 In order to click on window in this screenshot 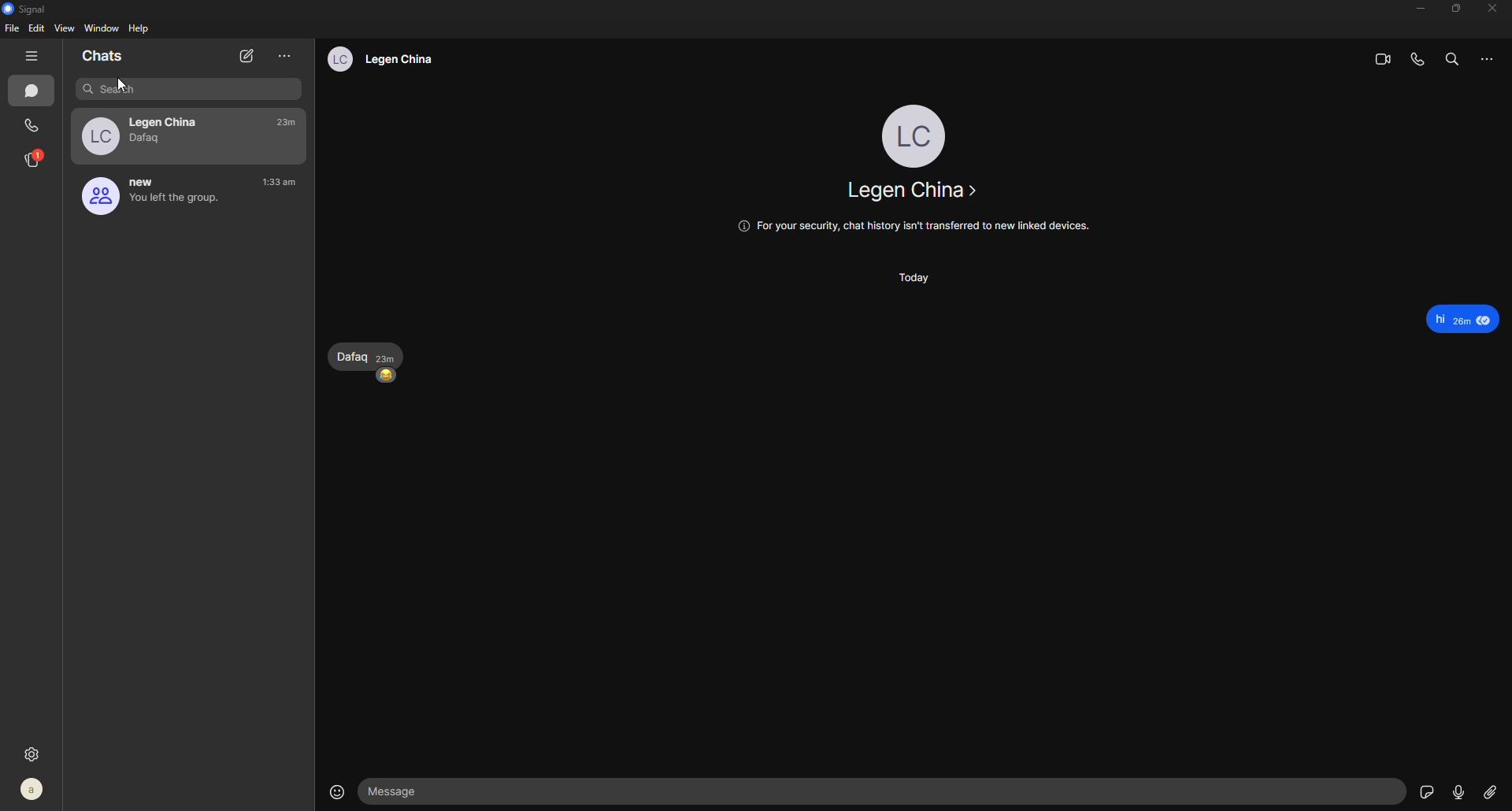, I will do `click(102, 28)`.